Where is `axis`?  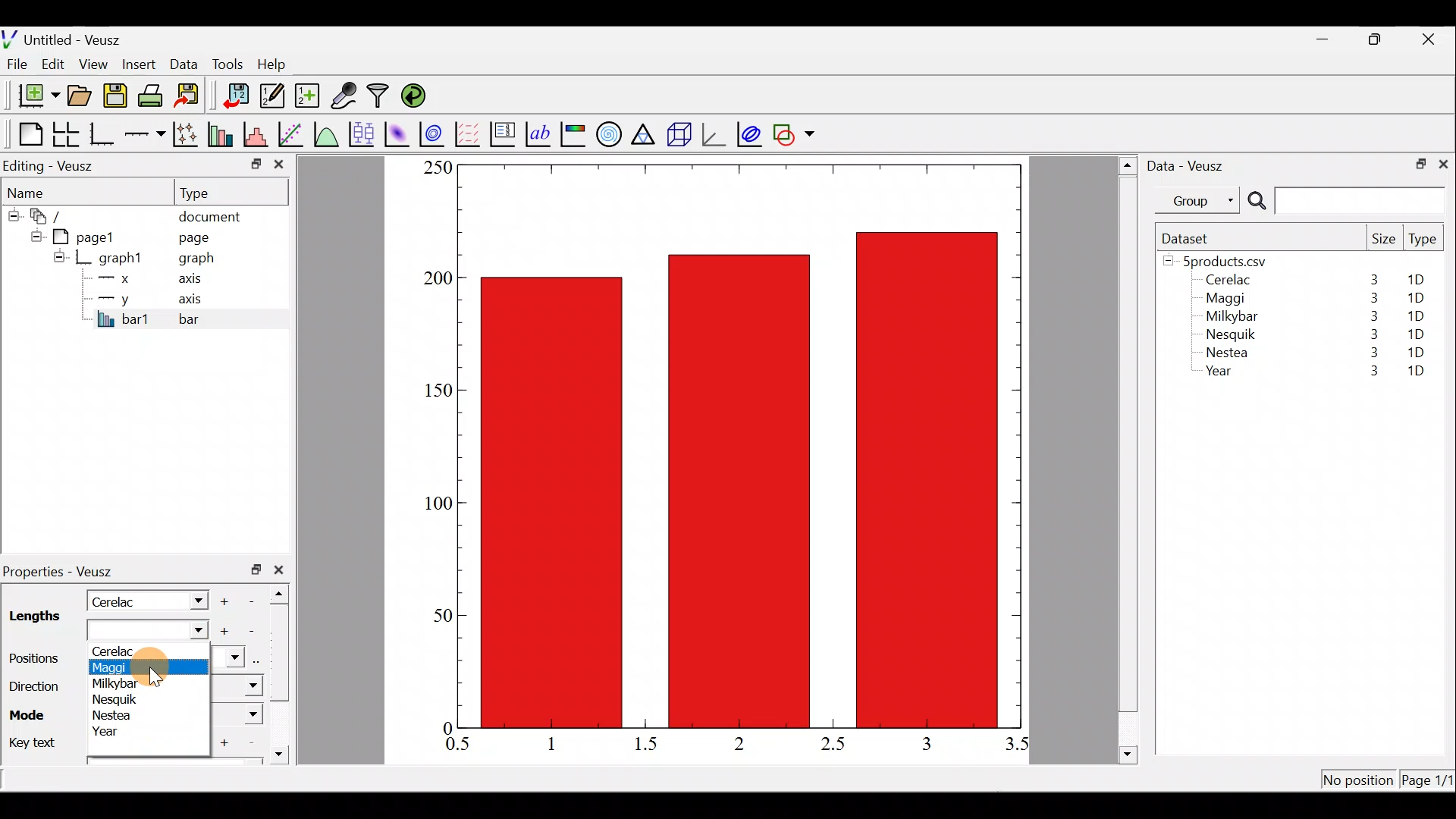 axis is located at coordinates (195, 281).